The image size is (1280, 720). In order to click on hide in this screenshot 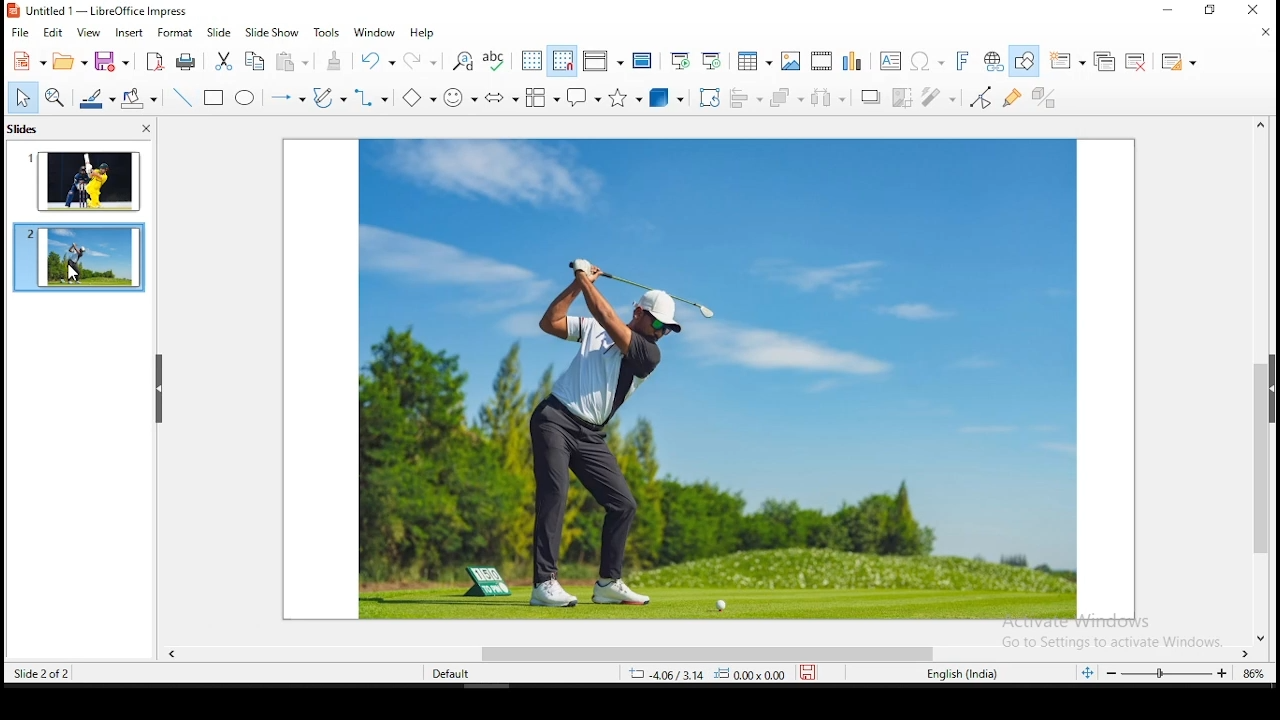, I will do `click(162, 390)`.